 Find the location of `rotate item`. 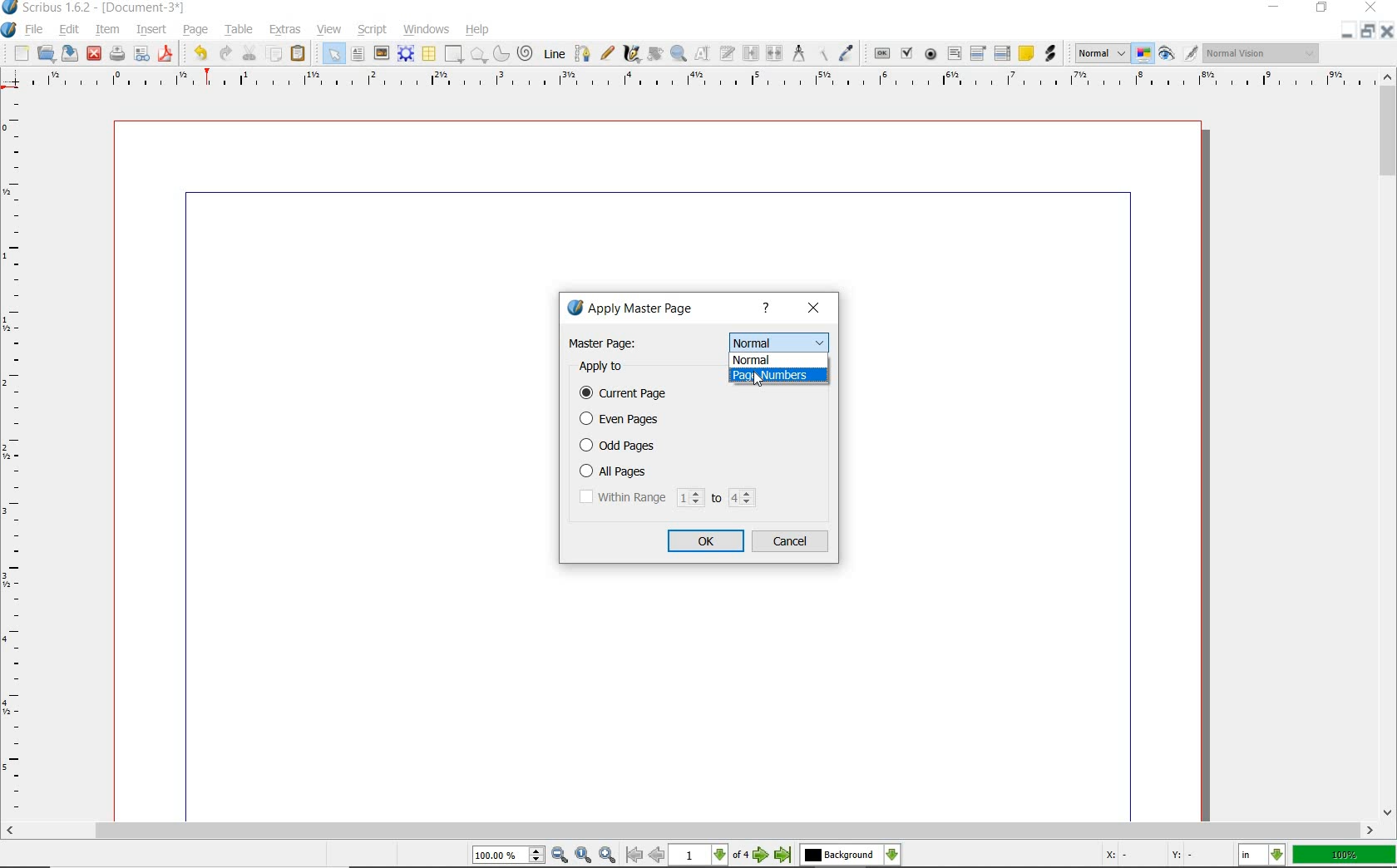

rotate item is located at coordinates (654, 53).